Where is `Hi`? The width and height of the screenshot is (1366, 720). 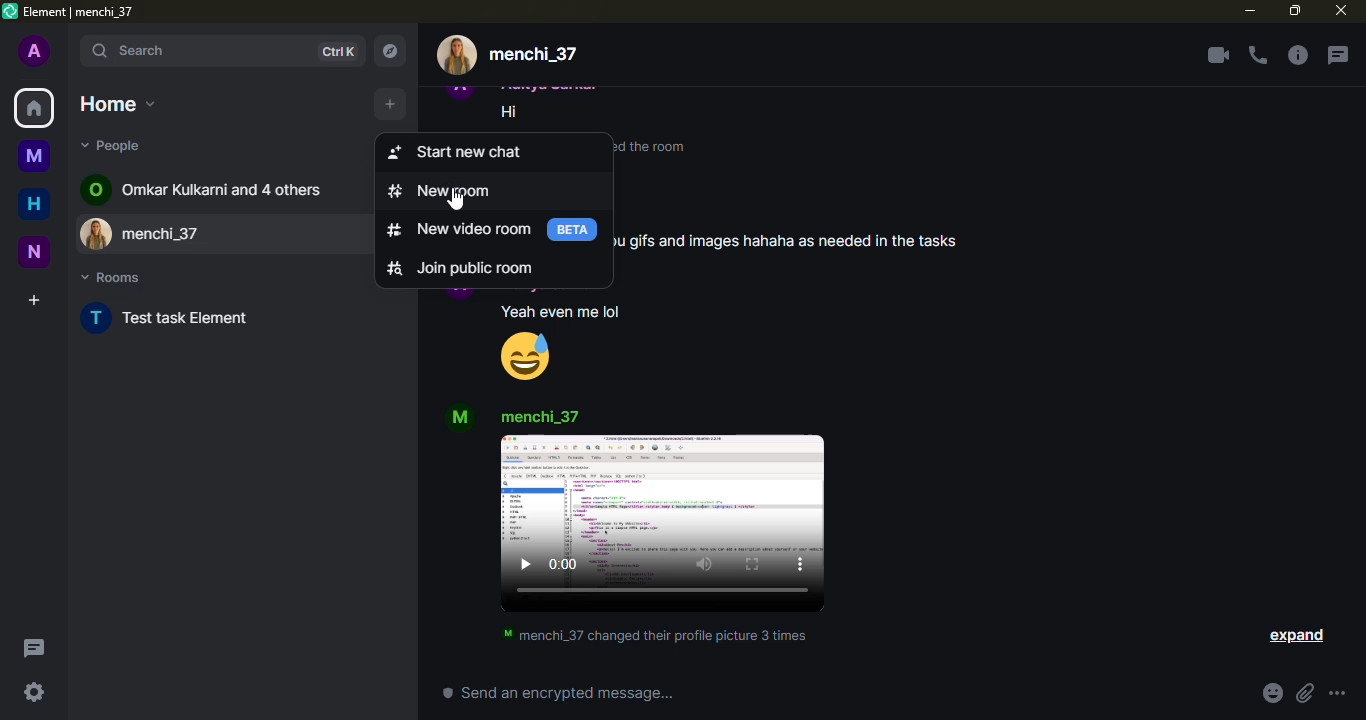 Hi is located at coordinates (510, 112).